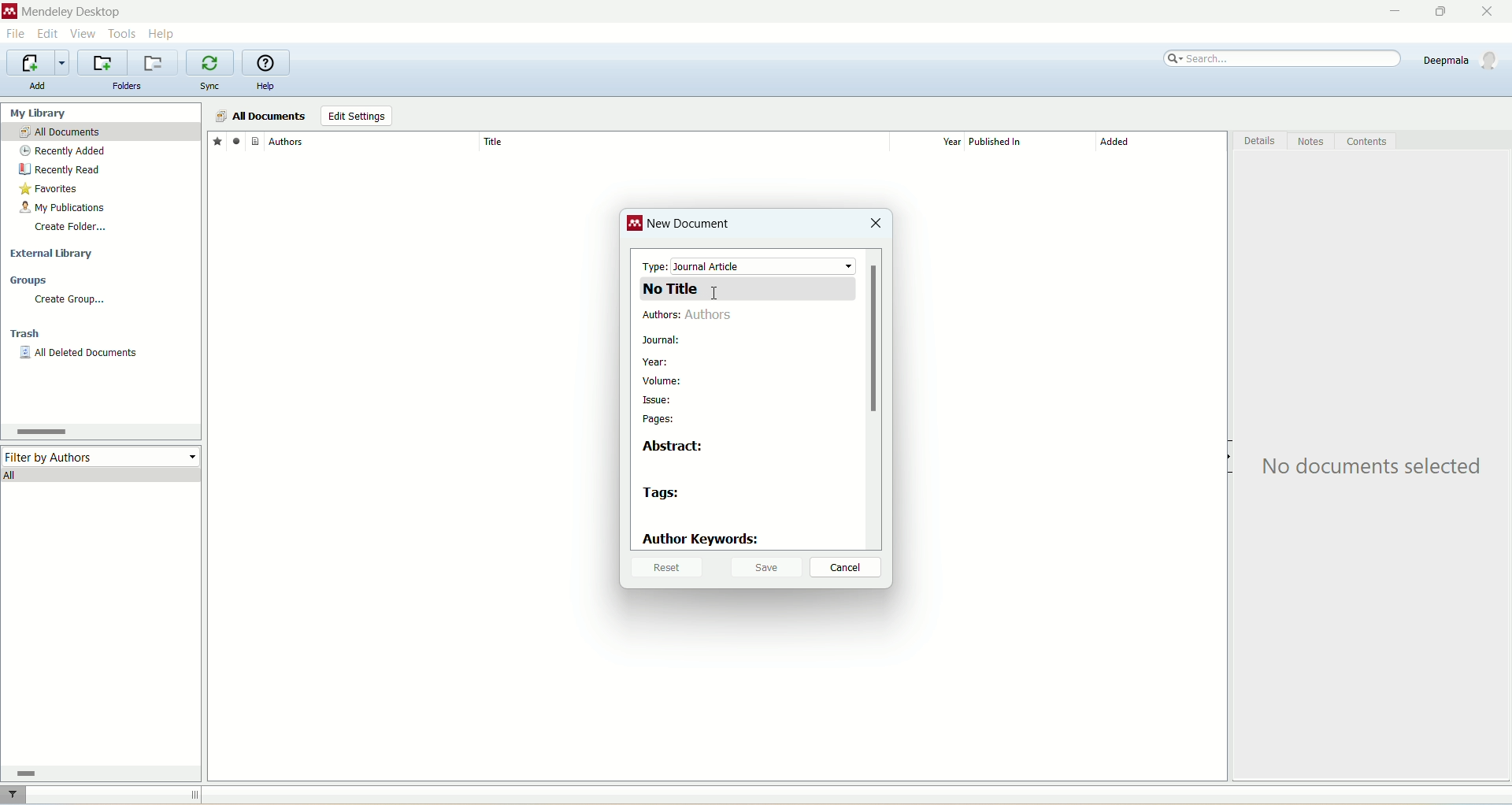  What do you see at coordinates (875, 224) in the screenshot?
I see `close` at bounding box center [875, 224].